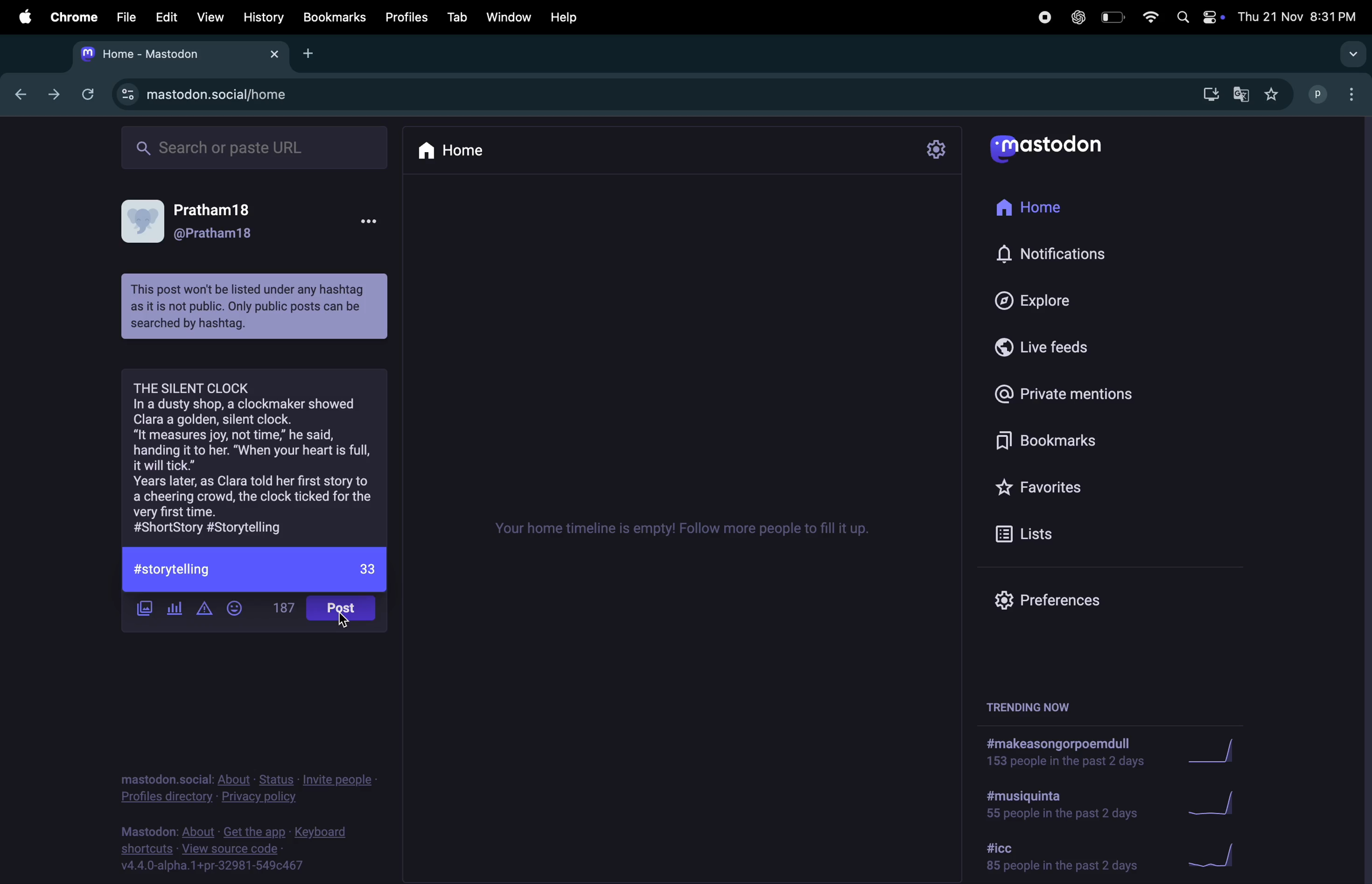 This screenshot has width=1372, height=884. What do you see at coordinates (145, 222) in the screenshot?
I see `user profile` at bounding box center [145, 222].